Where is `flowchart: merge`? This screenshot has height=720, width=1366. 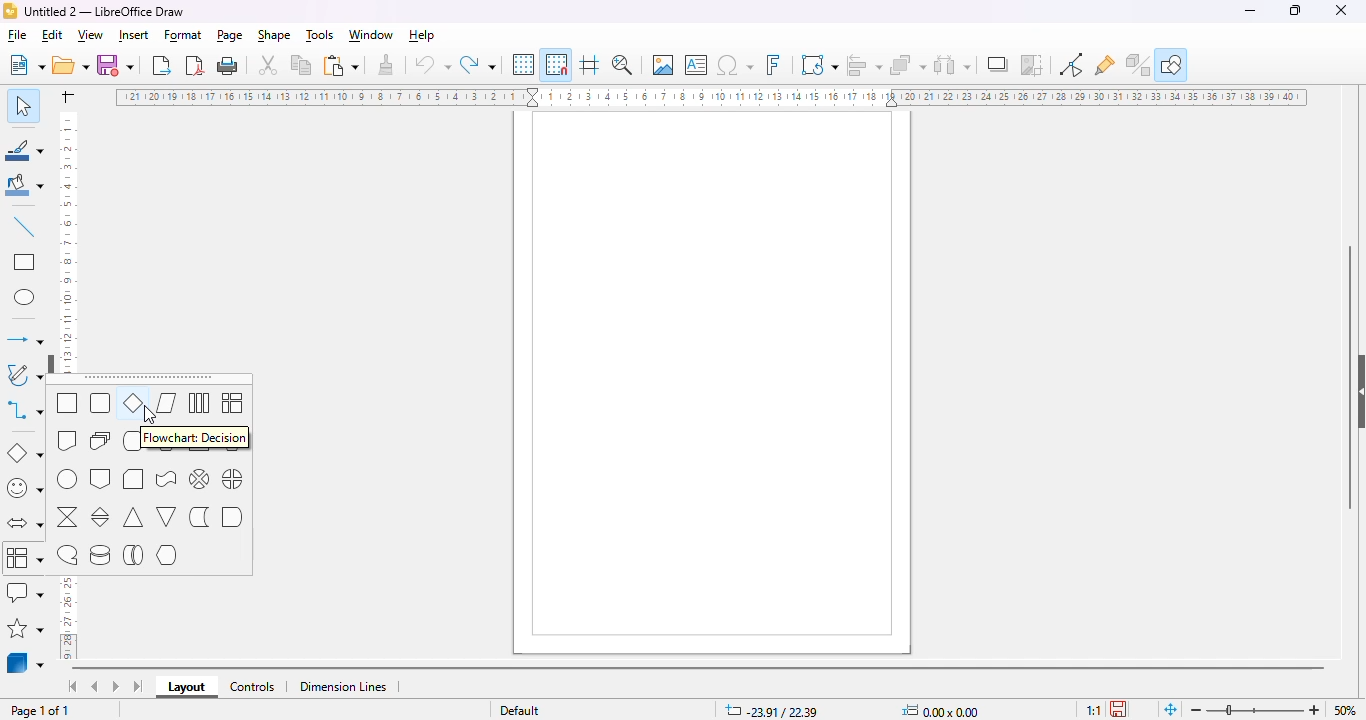
flowchart: merge is located at coordinates (167, 518).